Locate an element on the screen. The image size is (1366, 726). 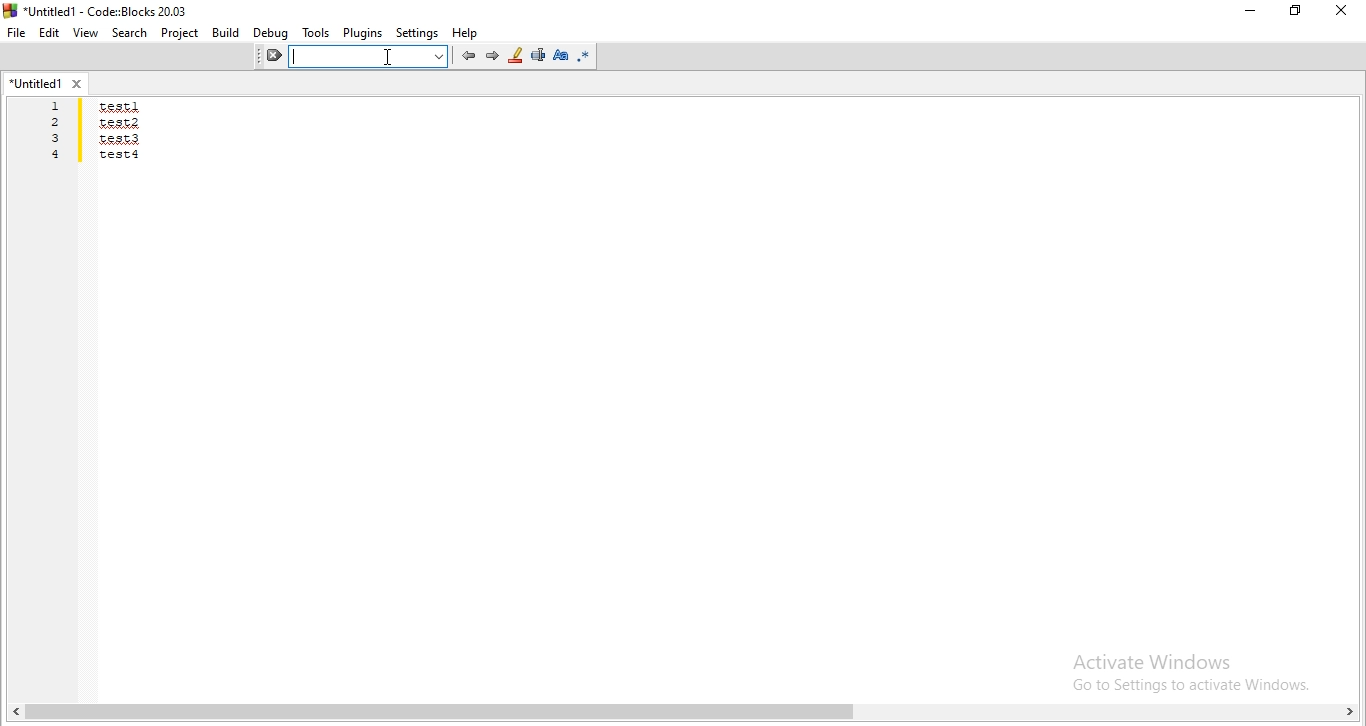
use regex is located at coordinates (586, 56).